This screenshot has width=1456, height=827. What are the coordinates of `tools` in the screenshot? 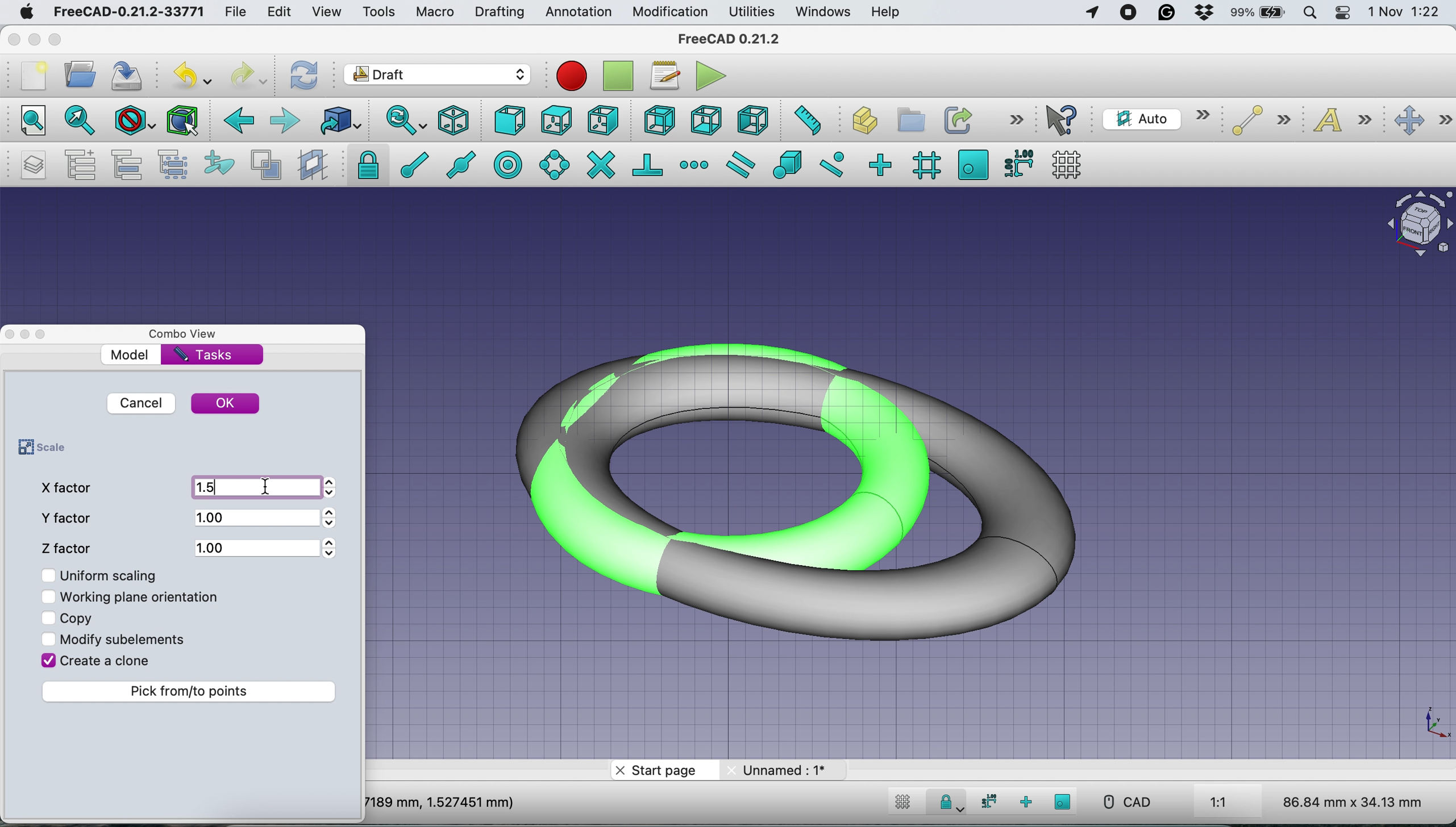 It's located at (375, 11).